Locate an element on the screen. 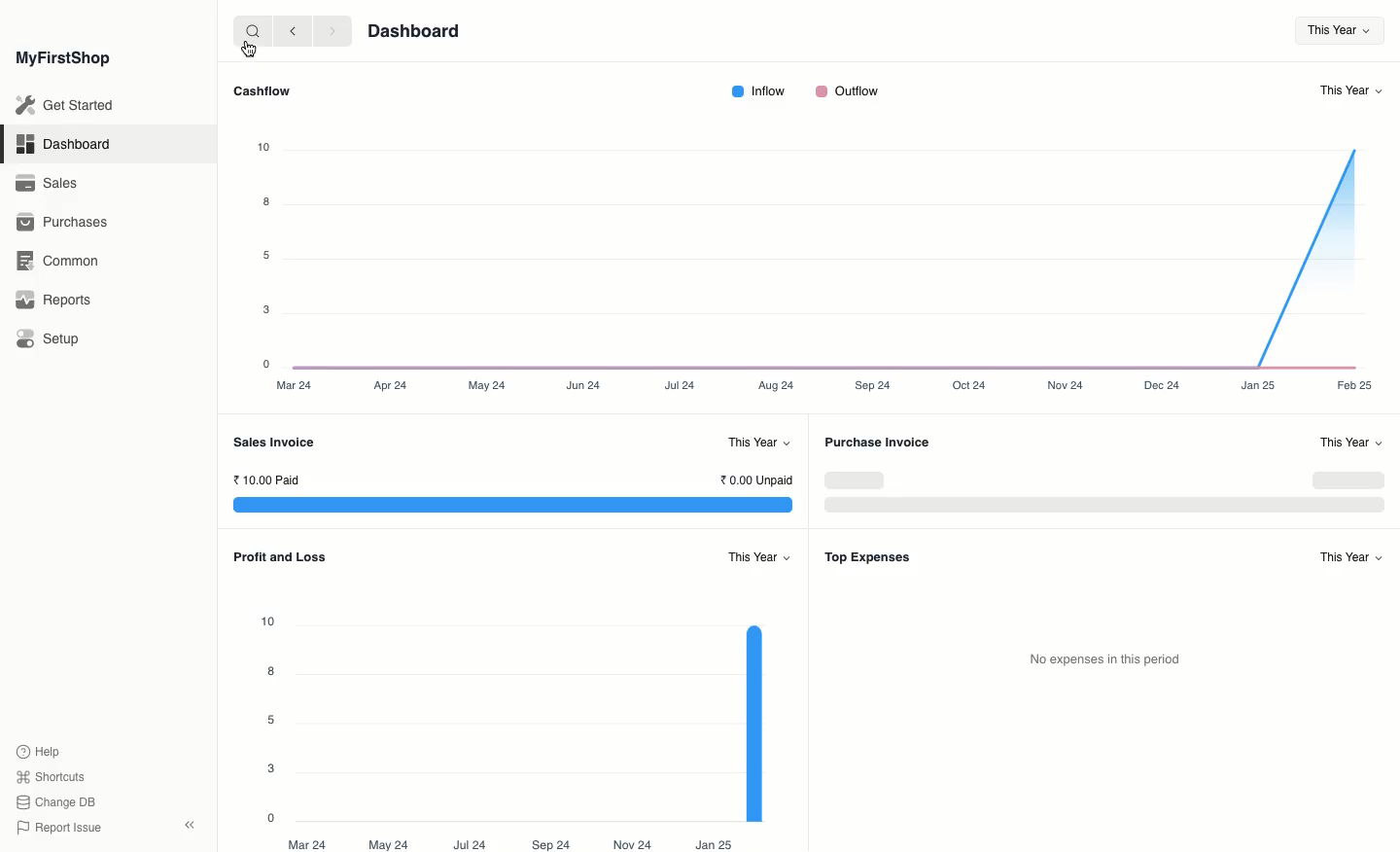 The width and height of the screenshot is (1400, 852). Graph is located at coordinates (511, 509).